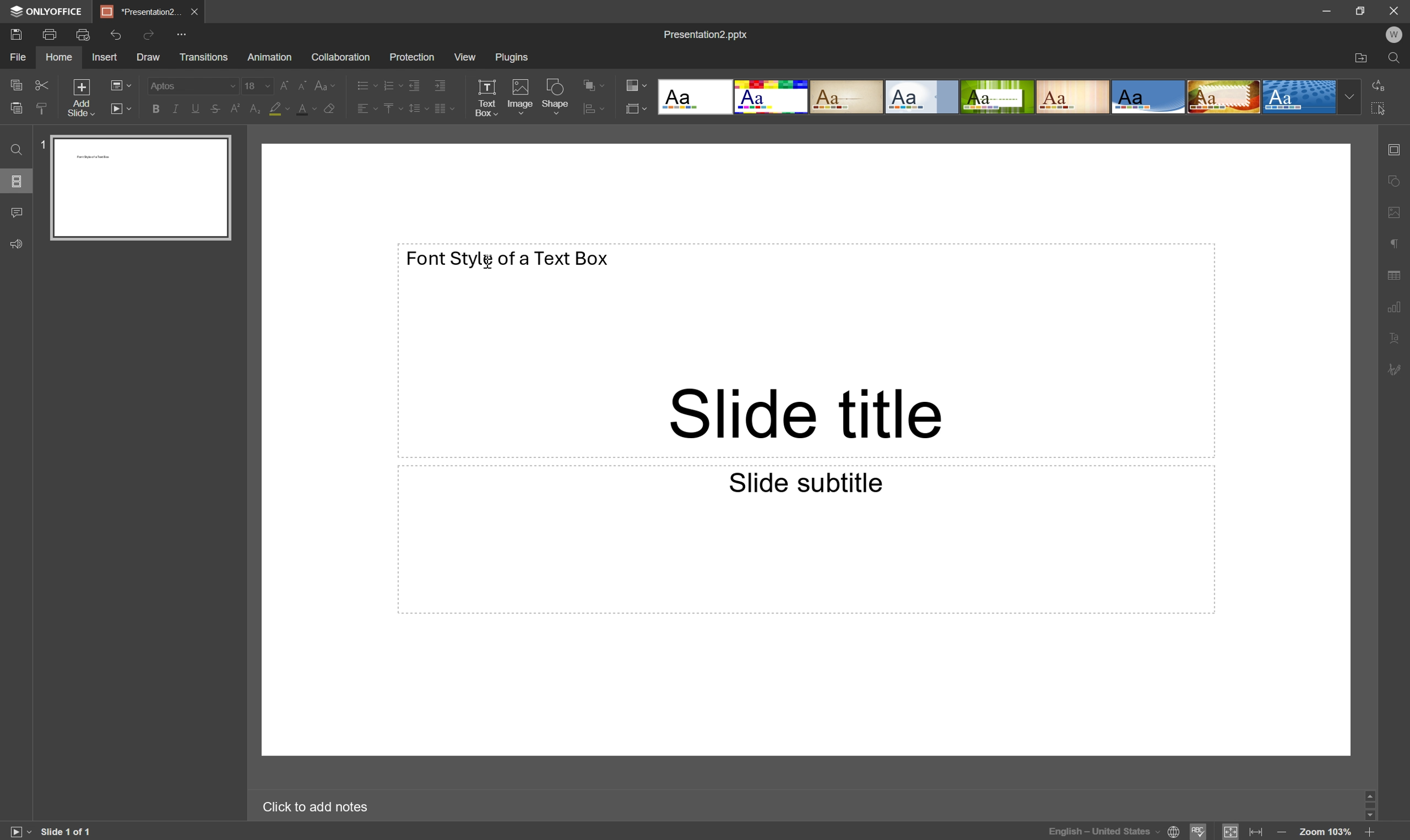  Describe the element at coordinates (17, 34) in the screenshot. I see `Save` at that location.